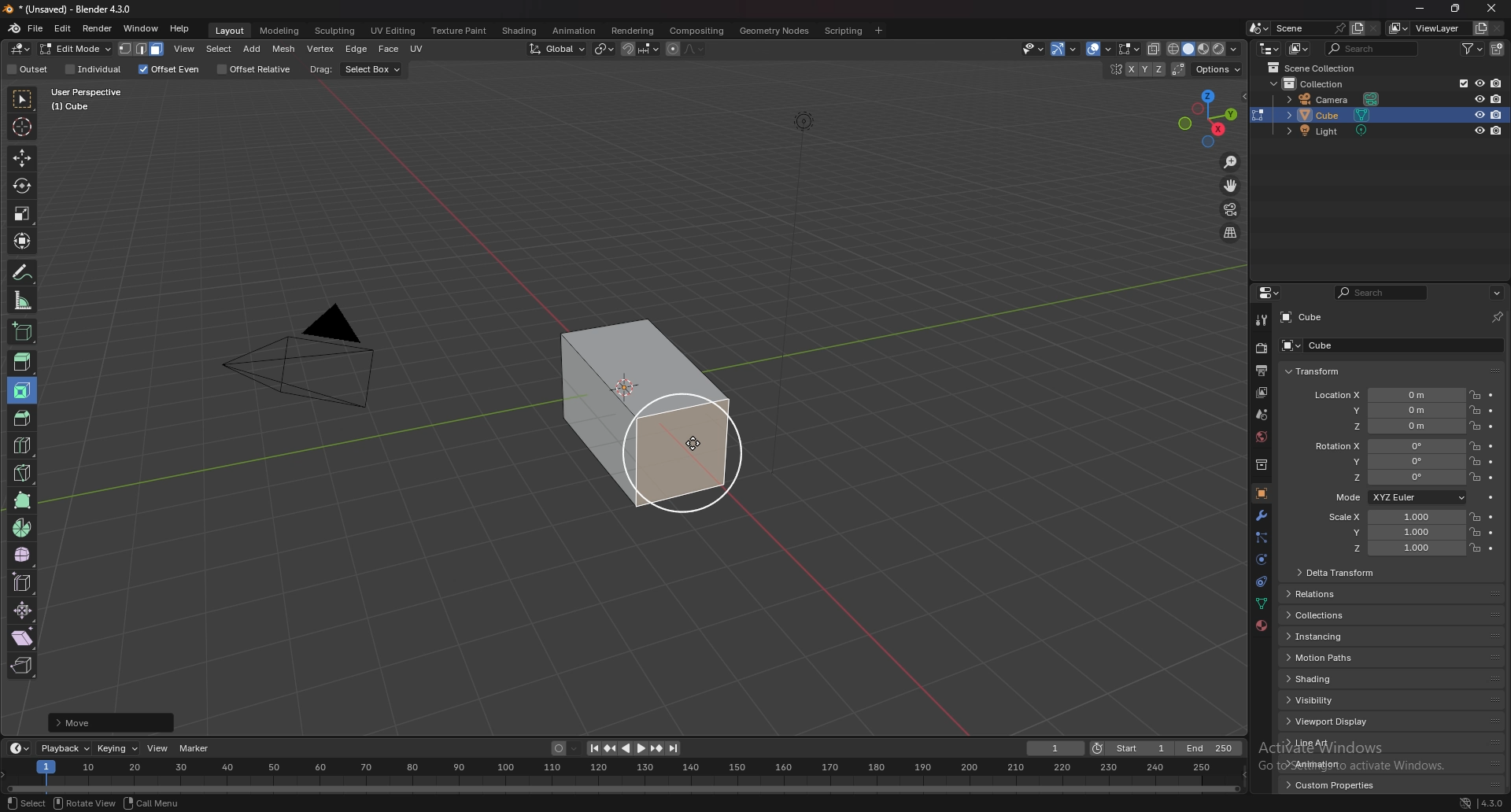 The image size is (1511, 812). Describe the element at coordinates (22, 49) in the screenshot. I see `editor type` at that location.